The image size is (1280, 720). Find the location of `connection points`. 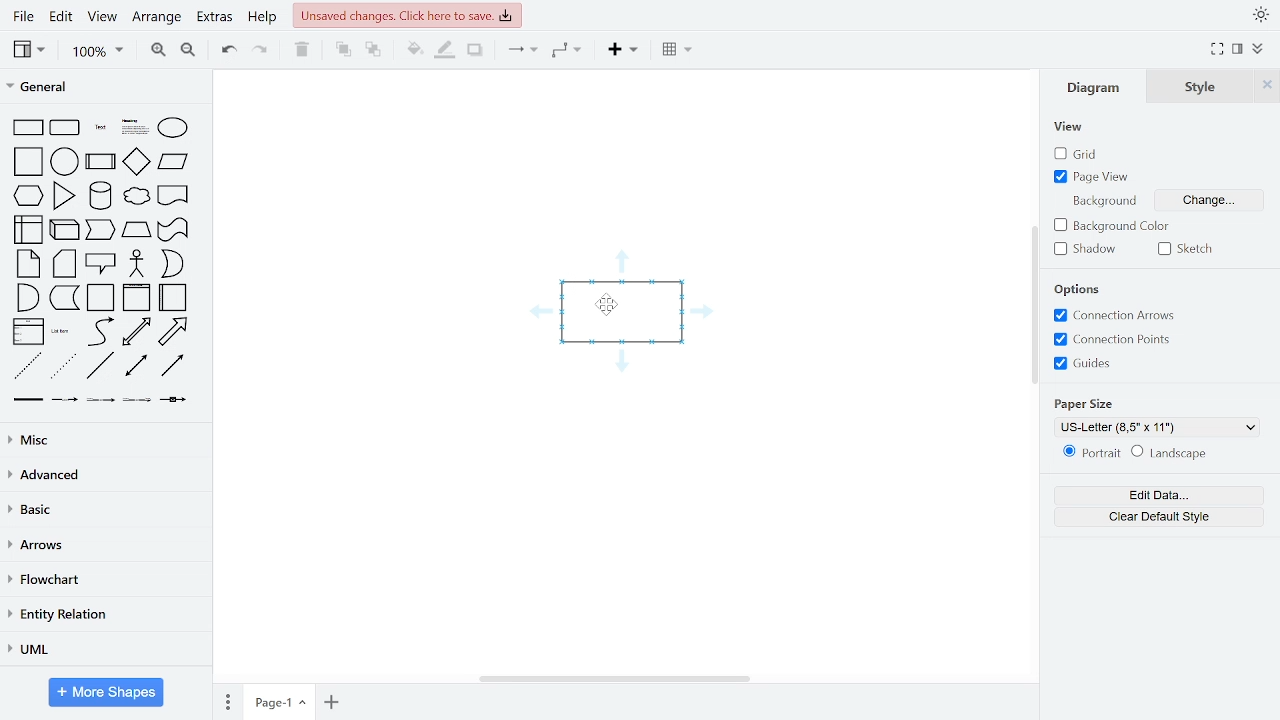

connection points is located at coordinates (1116, 340).